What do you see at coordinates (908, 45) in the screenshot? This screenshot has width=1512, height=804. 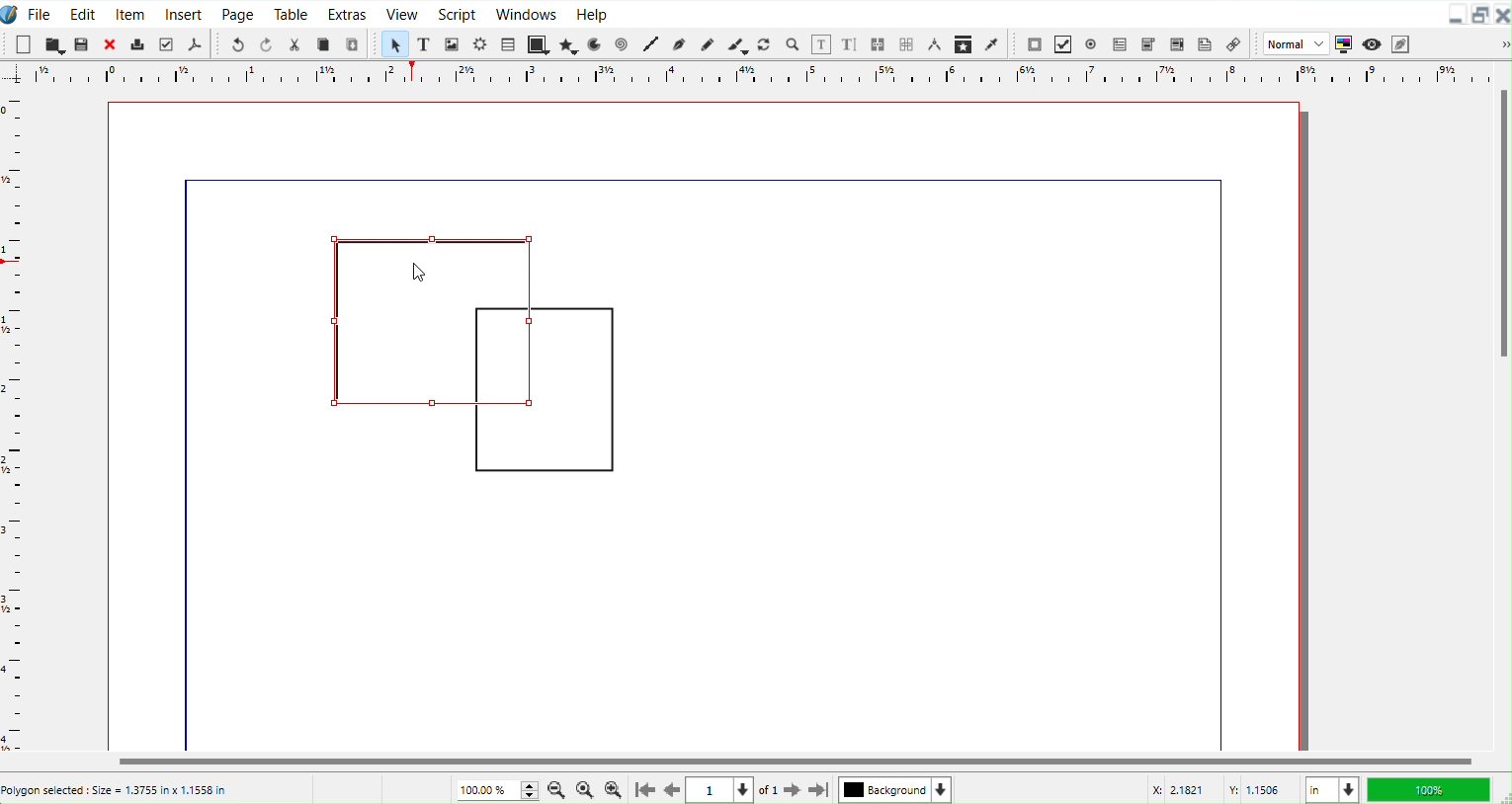 I see `Unlink frame work` at bounding box center [908, 45].